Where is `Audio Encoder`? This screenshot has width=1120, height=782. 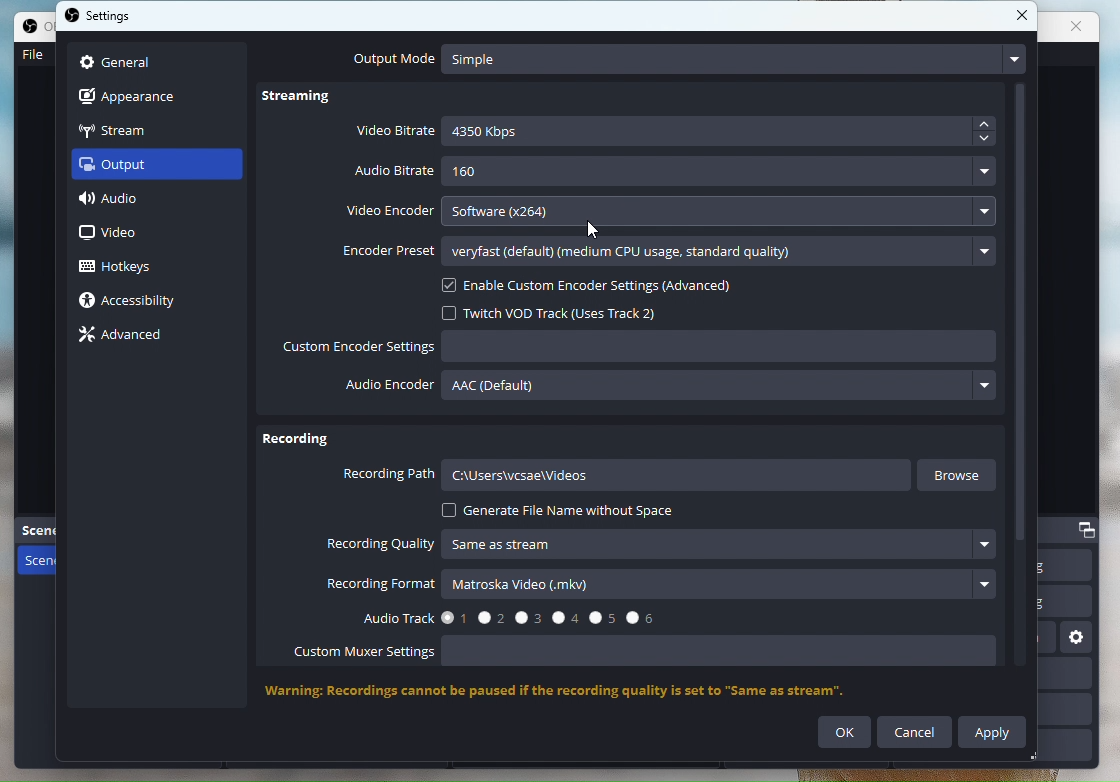 Audio Encoder is located at coordinates (673, 390).